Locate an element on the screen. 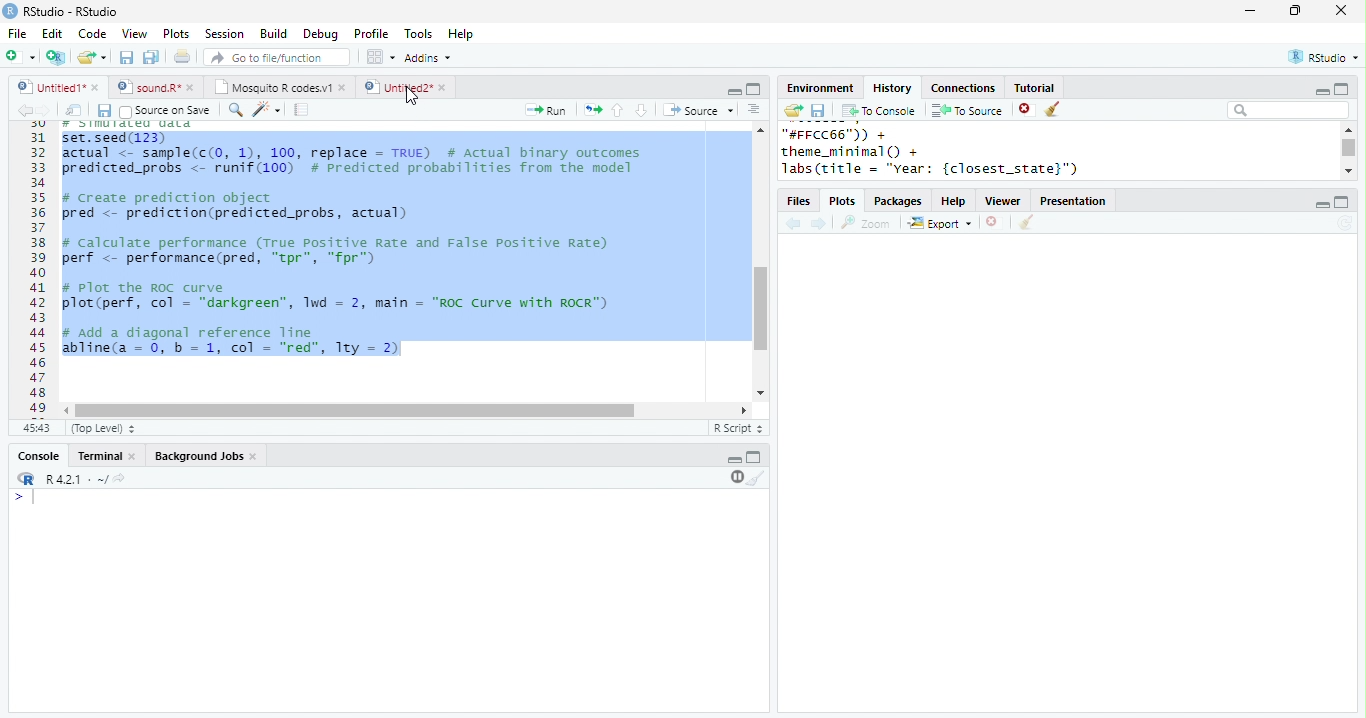  down is located at coordinates (640, 110).